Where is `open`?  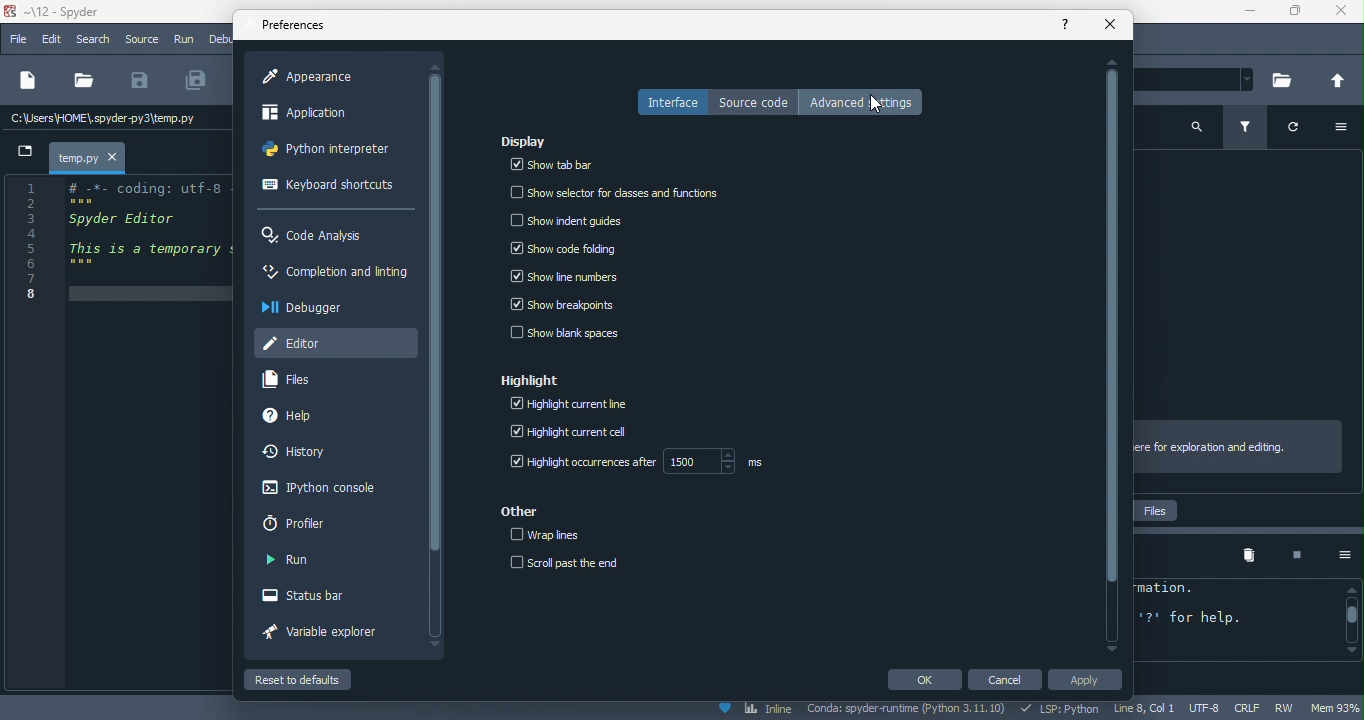 open is located at coordinates (83, 81).